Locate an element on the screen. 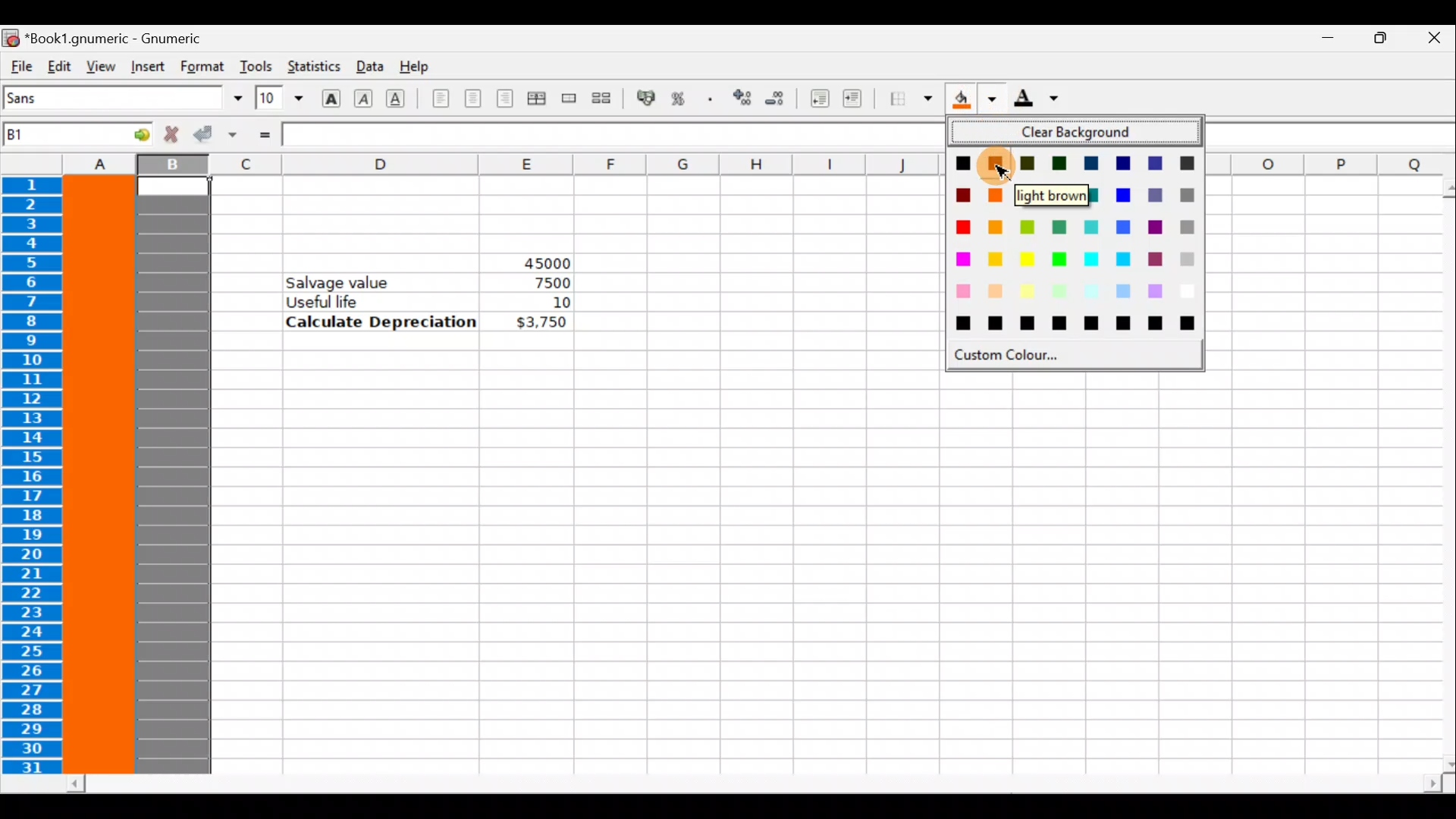  Bold is located at coordinates (331, 96).